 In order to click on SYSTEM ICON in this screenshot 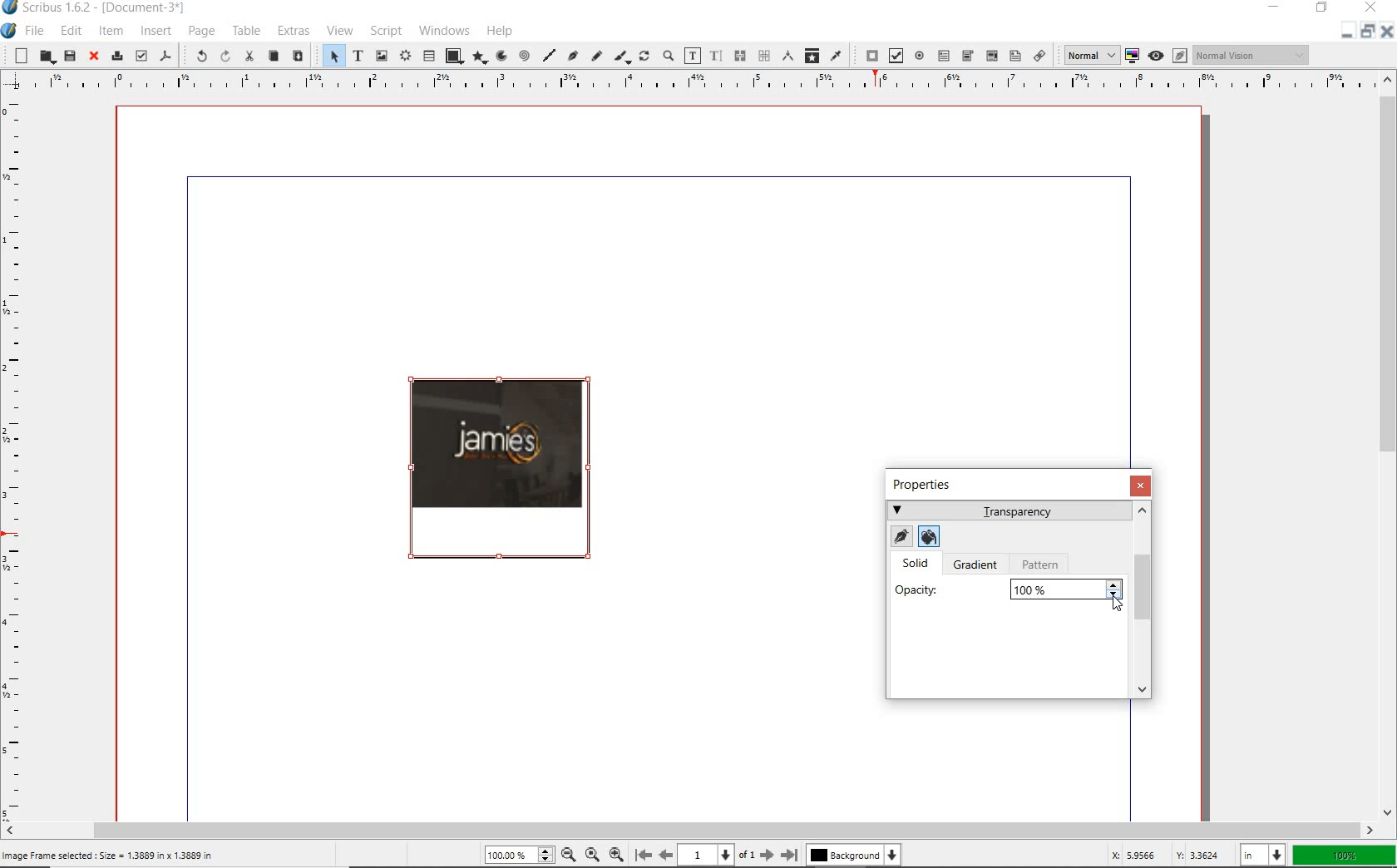, I will do `click(9, 32)`.